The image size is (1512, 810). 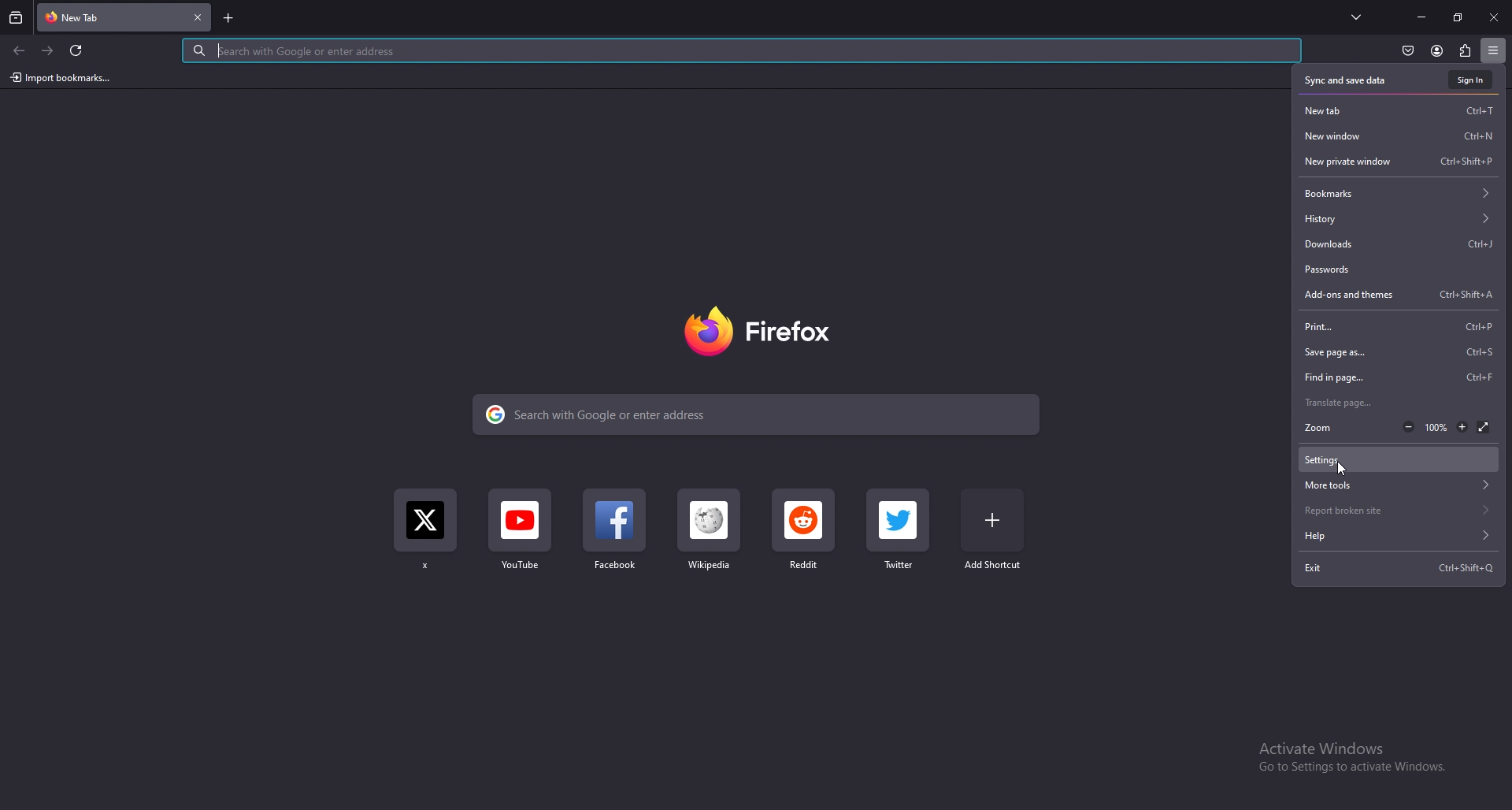 What do you see at coordinates (707, 536) in the screenshot?
I see `wikipedia` at bounding box center [707, 536].